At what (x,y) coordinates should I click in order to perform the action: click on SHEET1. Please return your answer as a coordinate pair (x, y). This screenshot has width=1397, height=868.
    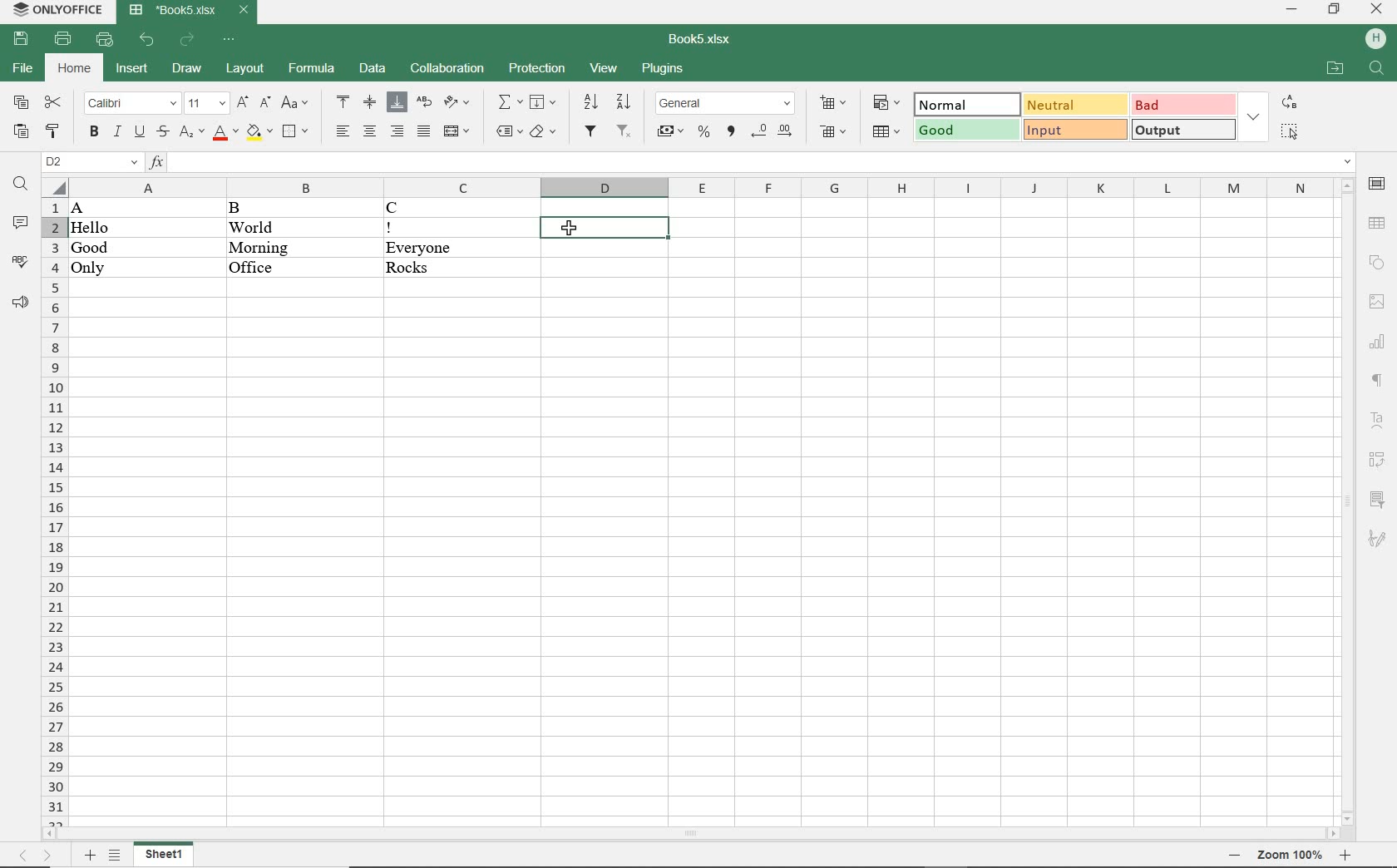
    Looking at the image, I should click on (166, 854).